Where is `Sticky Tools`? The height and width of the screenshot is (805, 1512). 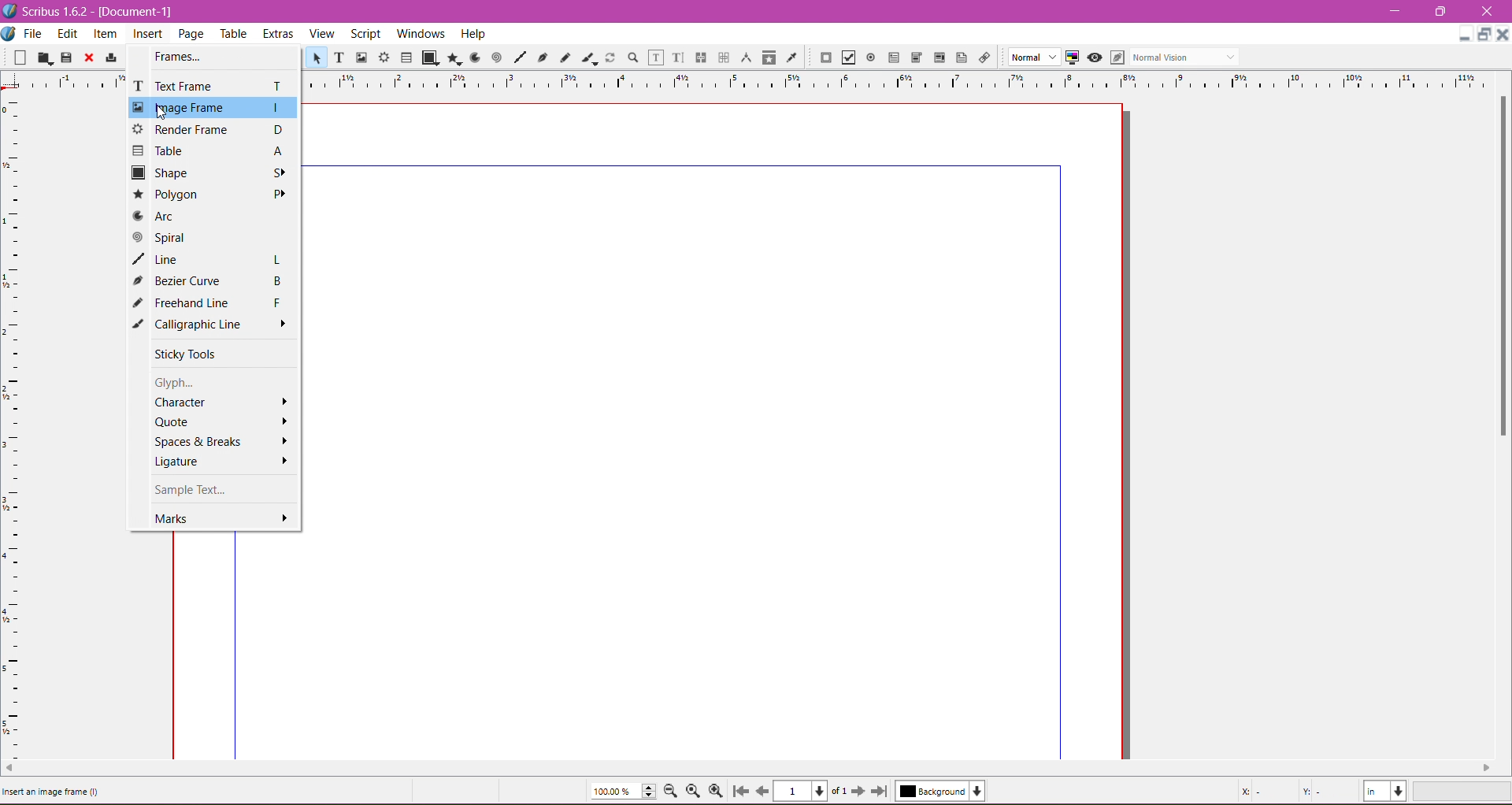
Sticky Tools is located at coordinates (194, 354).